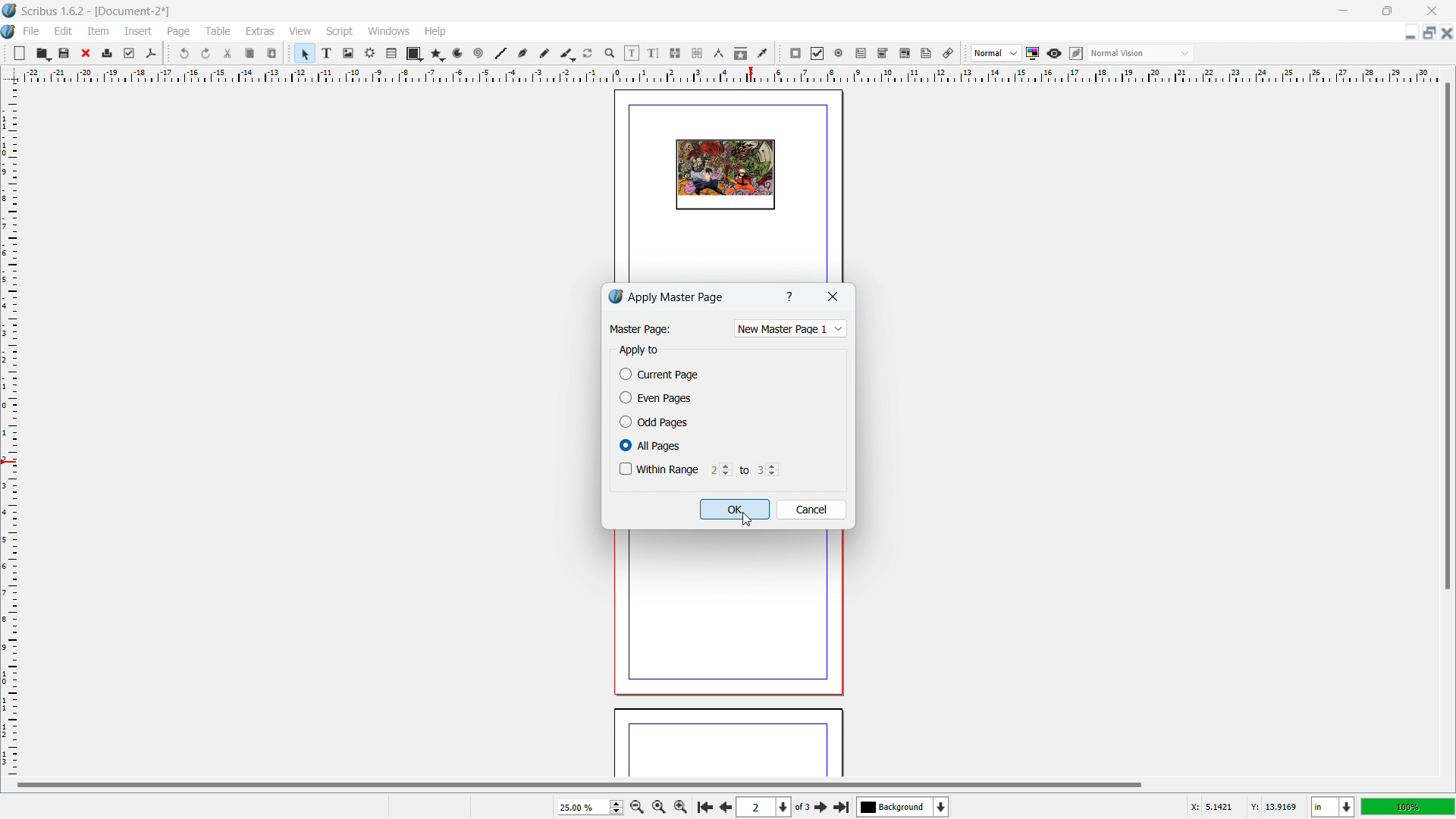 The image size is (1456, 819). What do you see at coordinates (767, 469) in the screenshot?
I see `range ending at page number` at bounding box center [767, 469].